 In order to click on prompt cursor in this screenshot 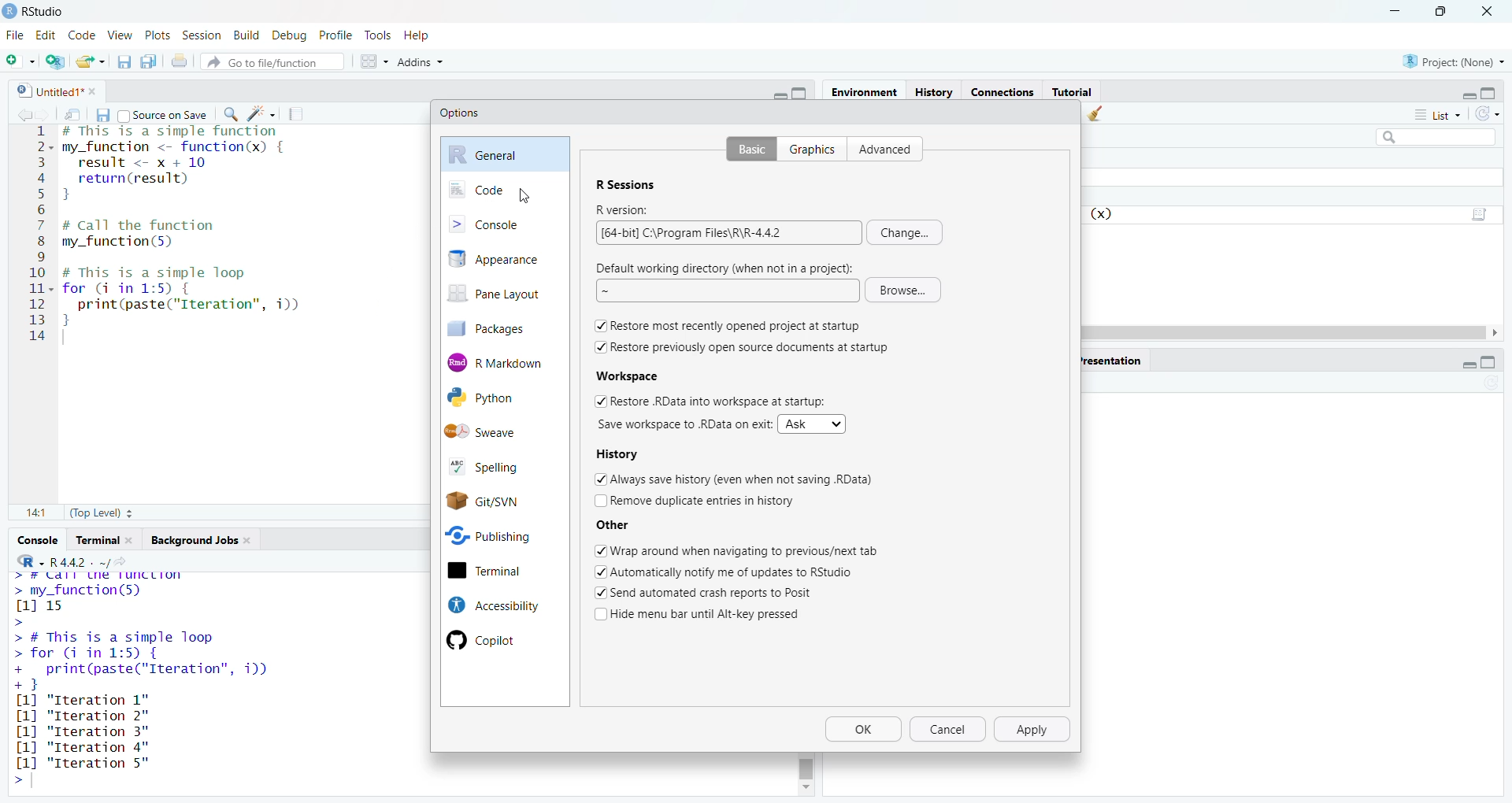, I will do `click(16, 781)`.